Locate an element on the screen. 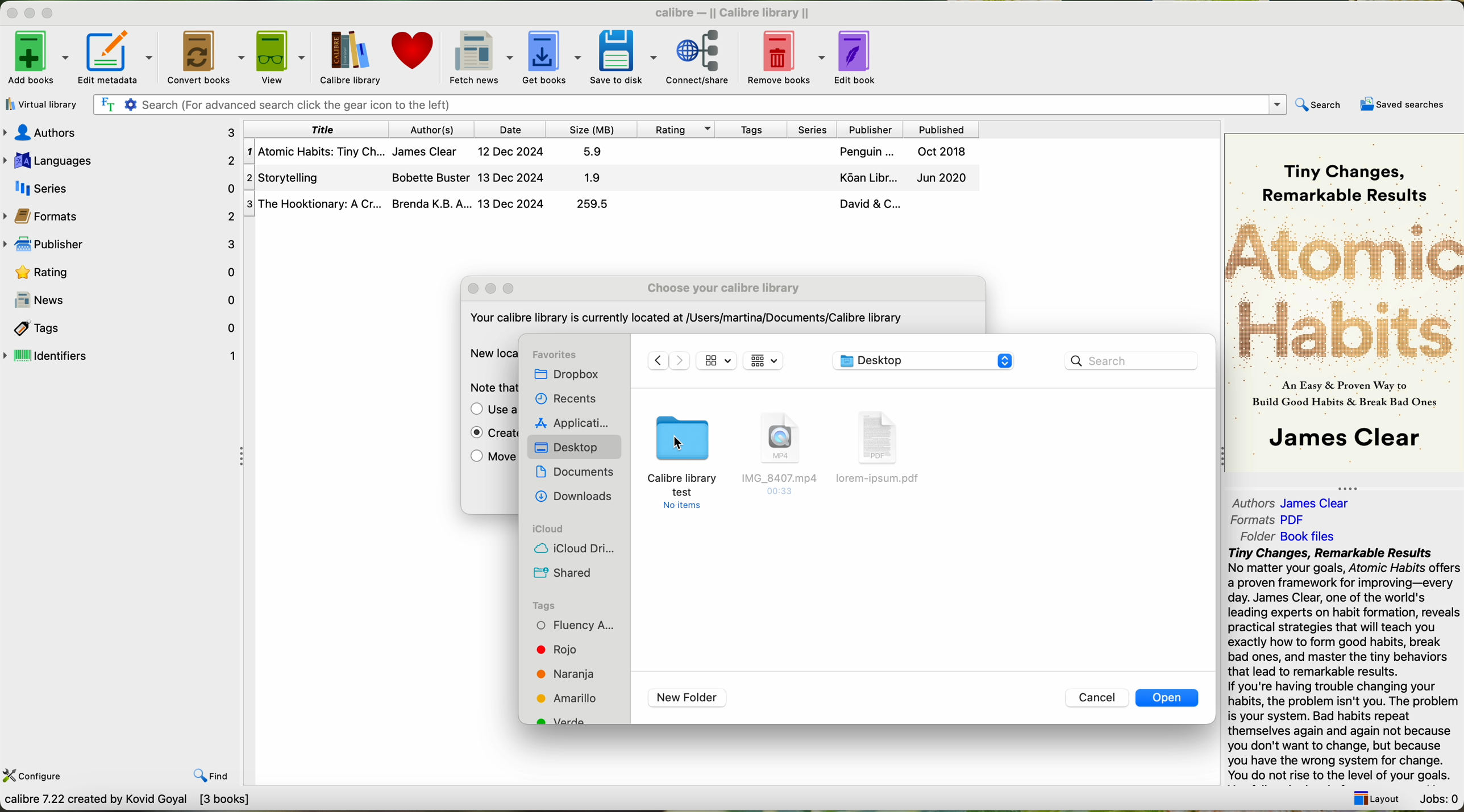 This screenshot has width=1464, height=812. ‘Your calibre library Is currently located at /Users/martina/Documents/Calibre library is located at coordinates (684, 320).